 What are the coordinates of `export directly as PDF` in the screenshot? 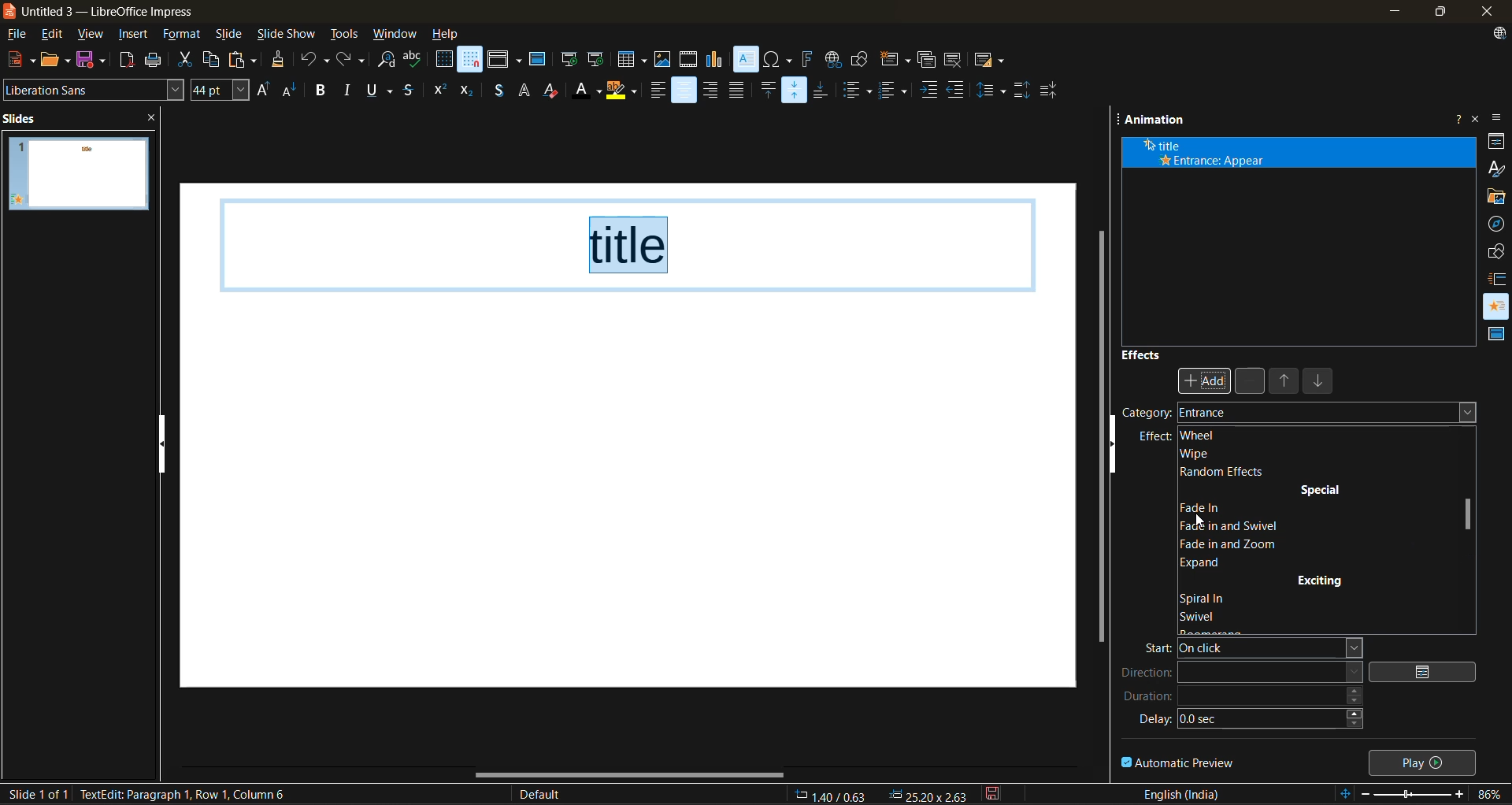 It's located at (128, 61).